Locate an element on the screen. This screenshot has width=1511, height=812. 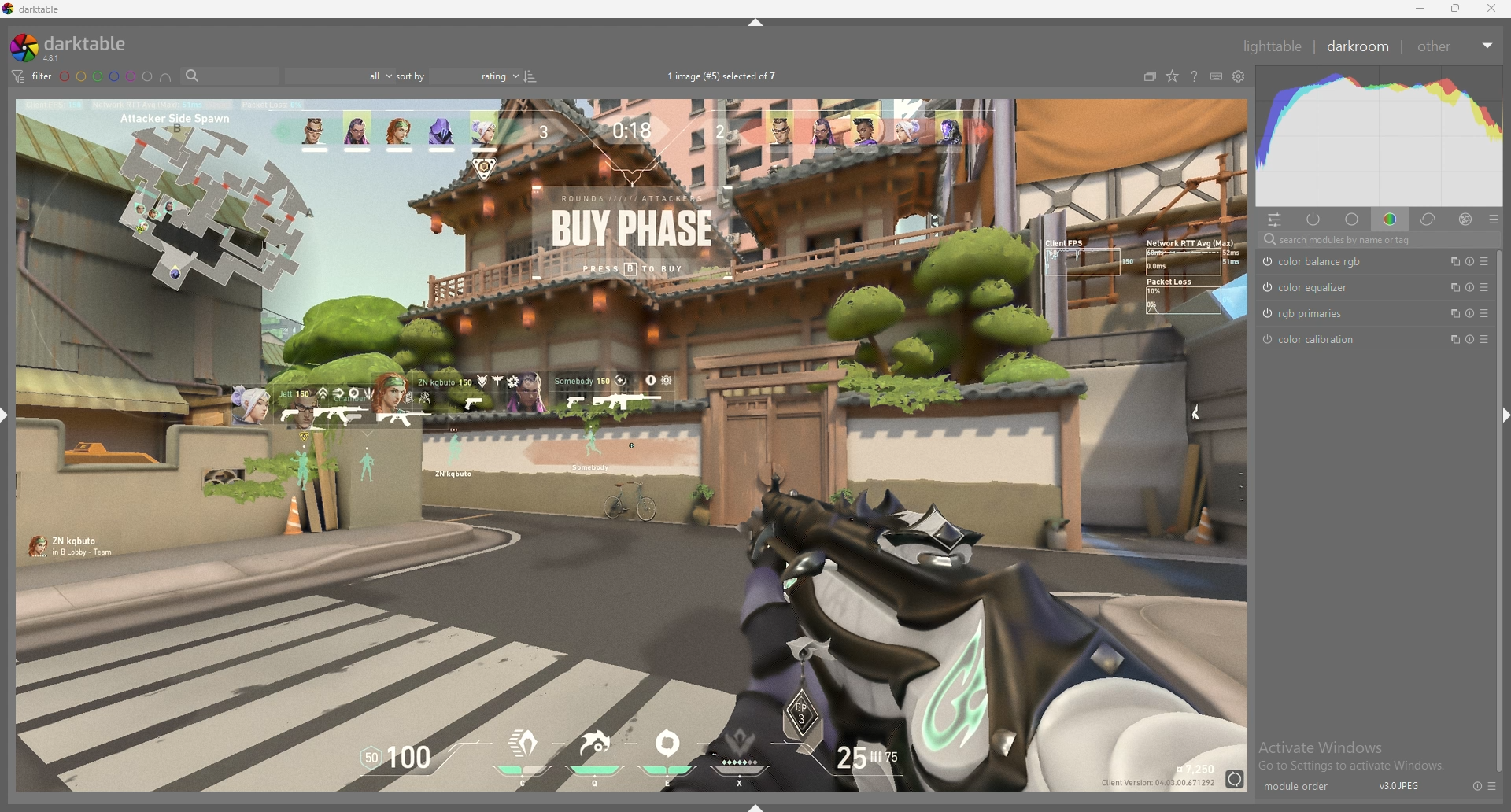
keyboard shortcut is located at coordinates (1216, 77).